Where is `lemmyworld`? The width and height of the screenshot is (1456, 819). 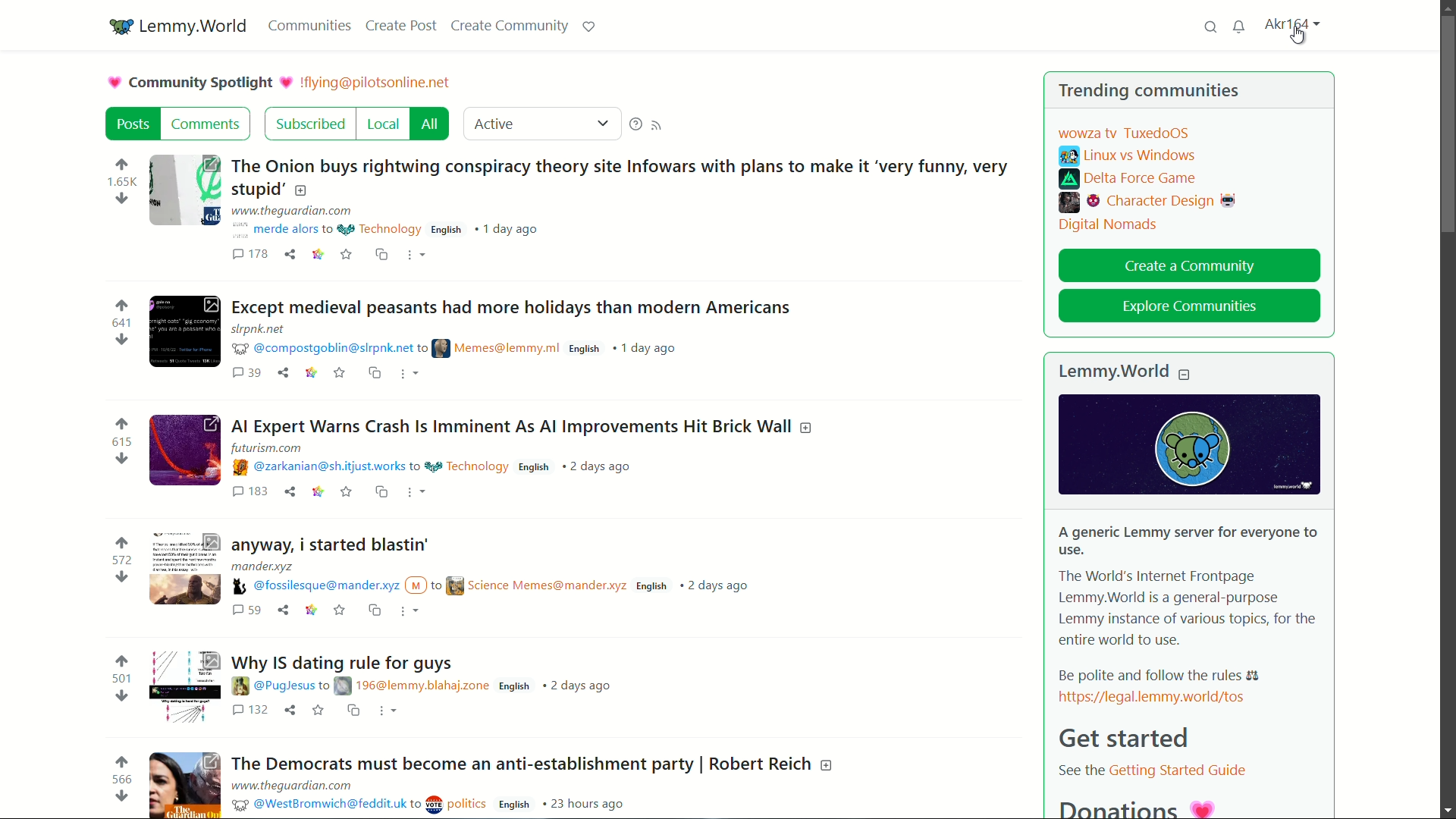
lemmyworld is located at coordinates (1115, 372).